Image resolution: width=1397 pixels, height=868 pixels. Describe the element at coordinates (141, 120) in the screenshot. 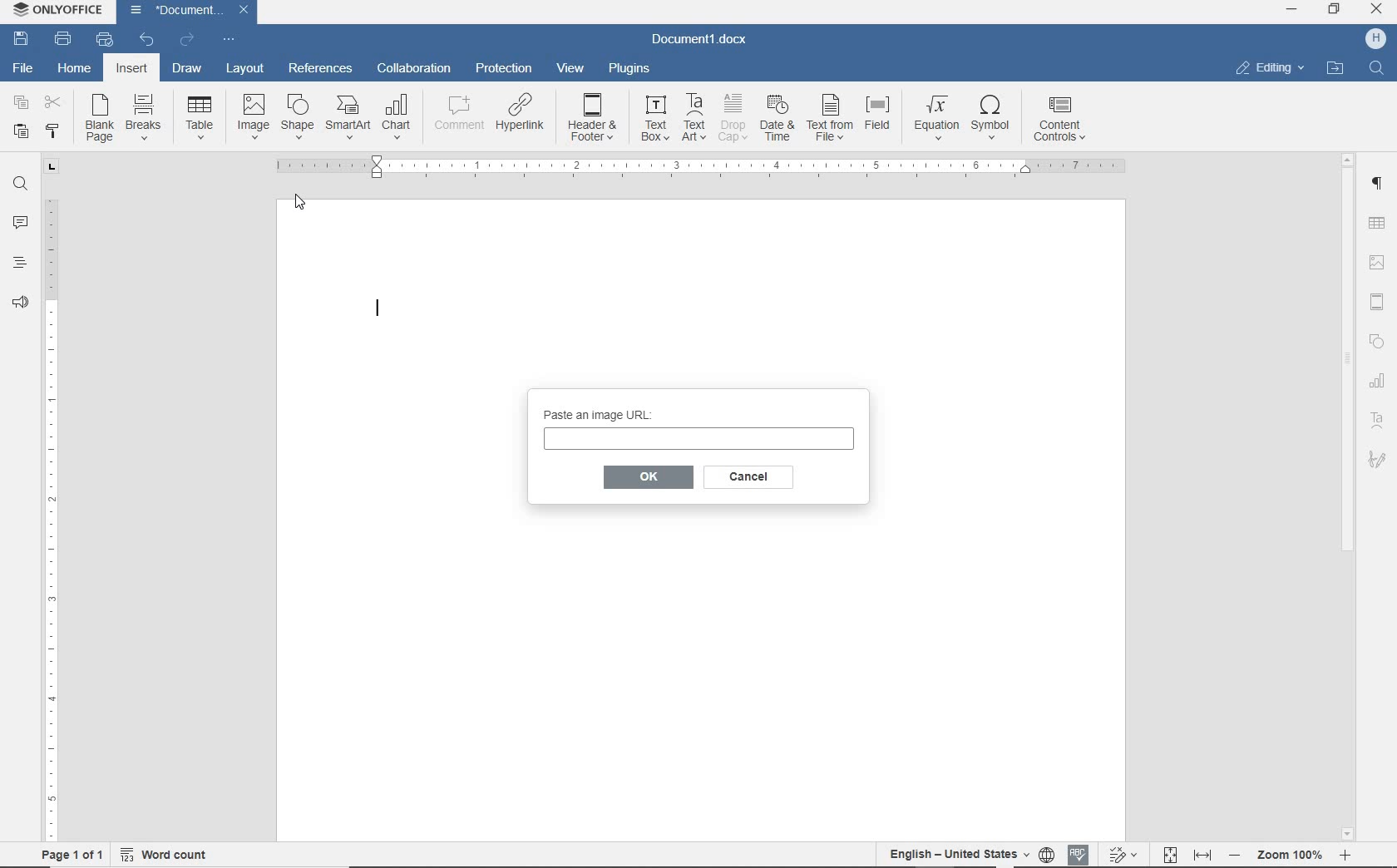

I see `breaks` at that location.